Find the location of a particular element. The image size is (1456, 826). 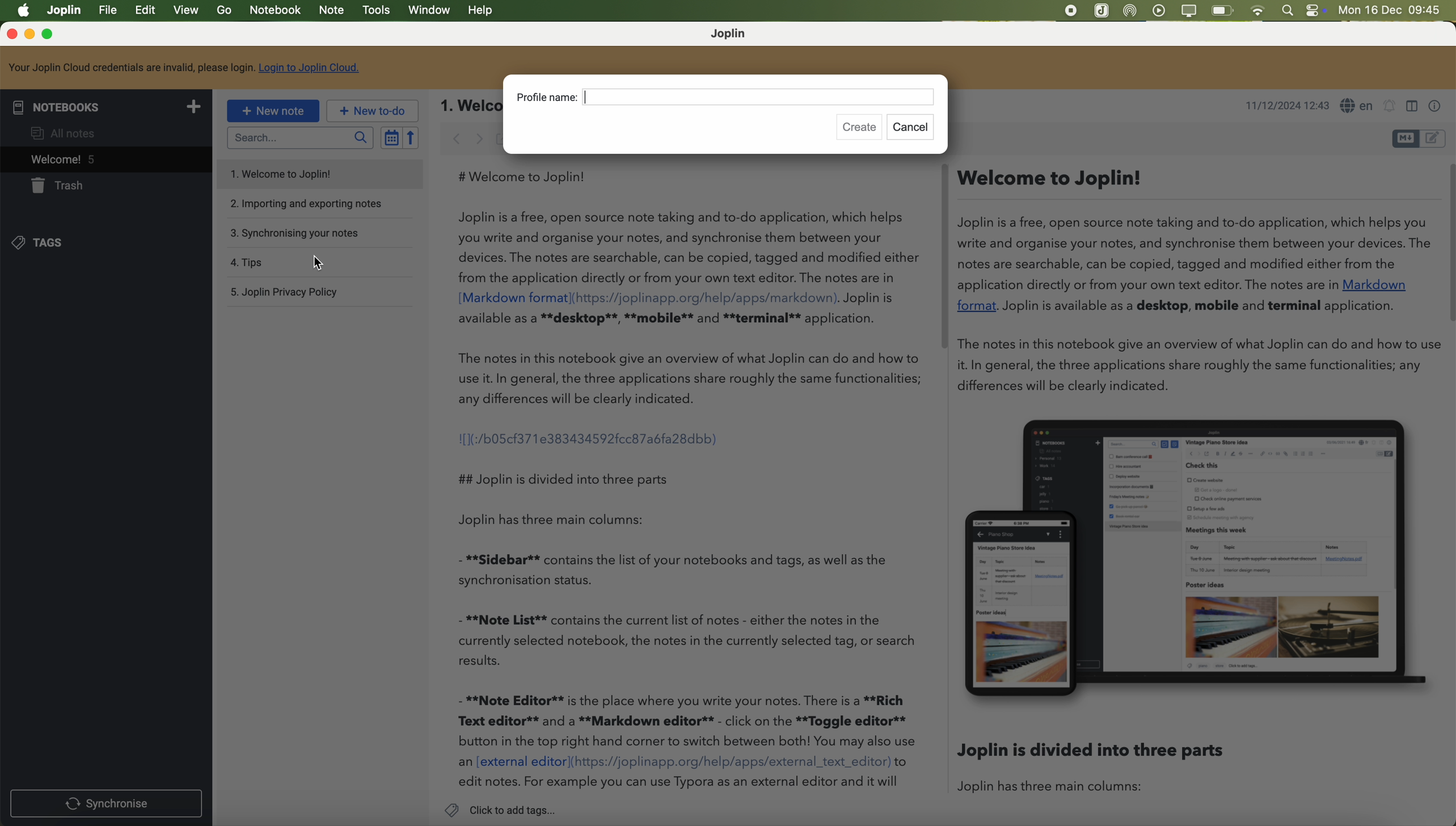

an [external editor] is located at coordinates (513, 762).